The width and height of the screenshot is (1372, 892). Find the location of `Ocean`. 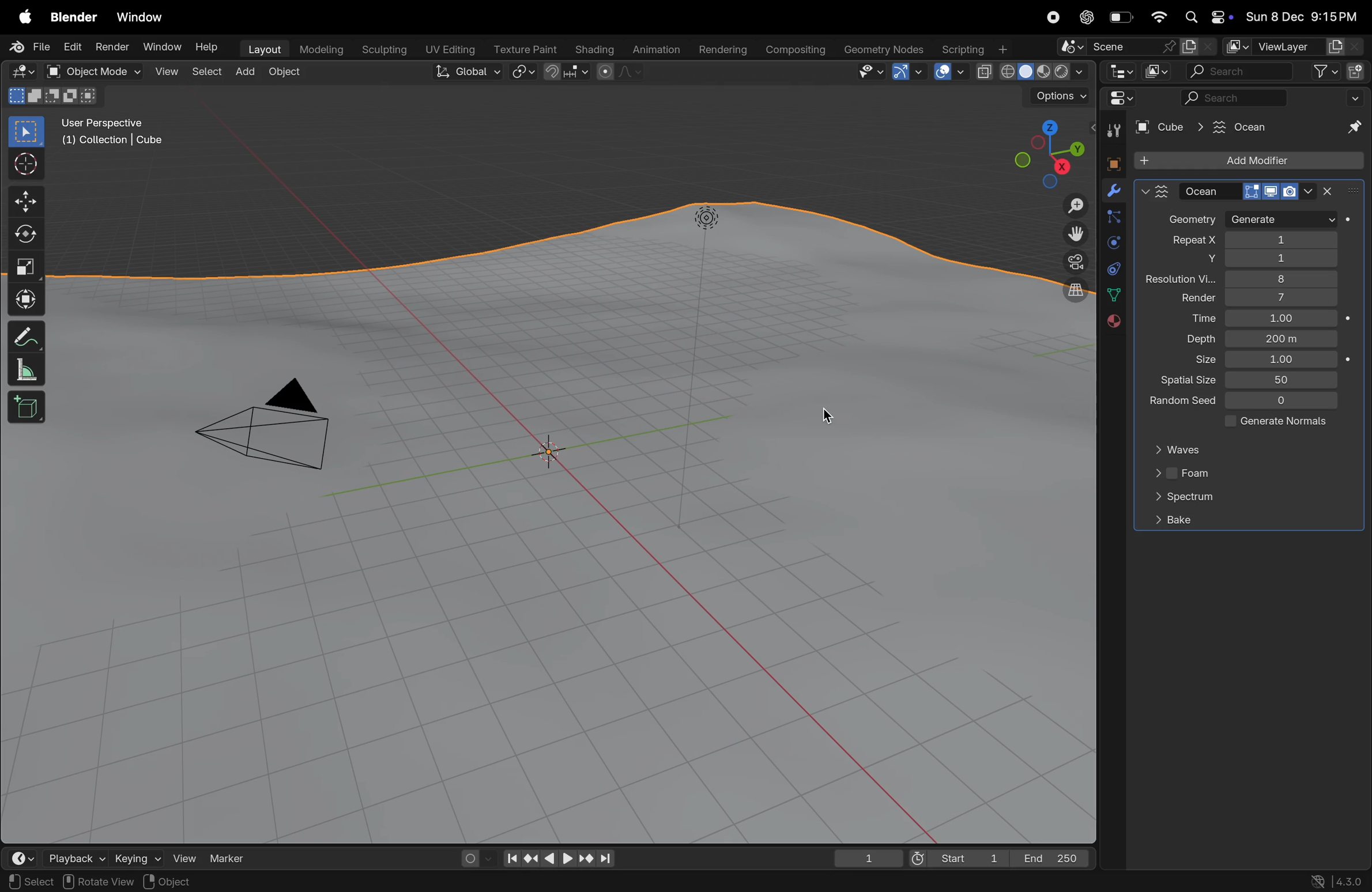

Ocean is located at coordinates (1231, 126).